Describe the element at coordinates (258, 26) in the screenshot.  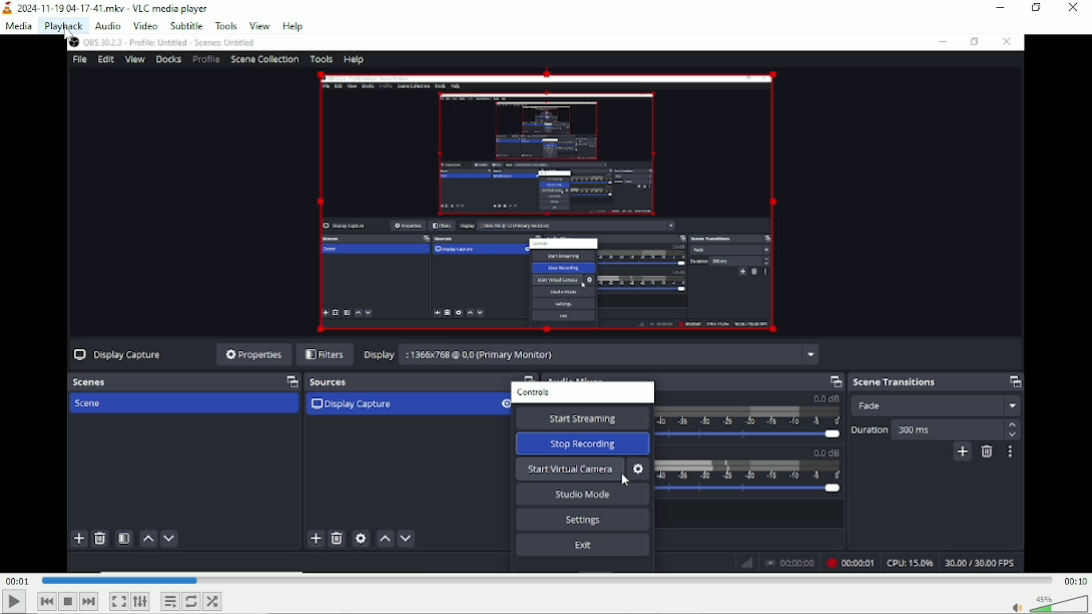
I see `View` at that location.